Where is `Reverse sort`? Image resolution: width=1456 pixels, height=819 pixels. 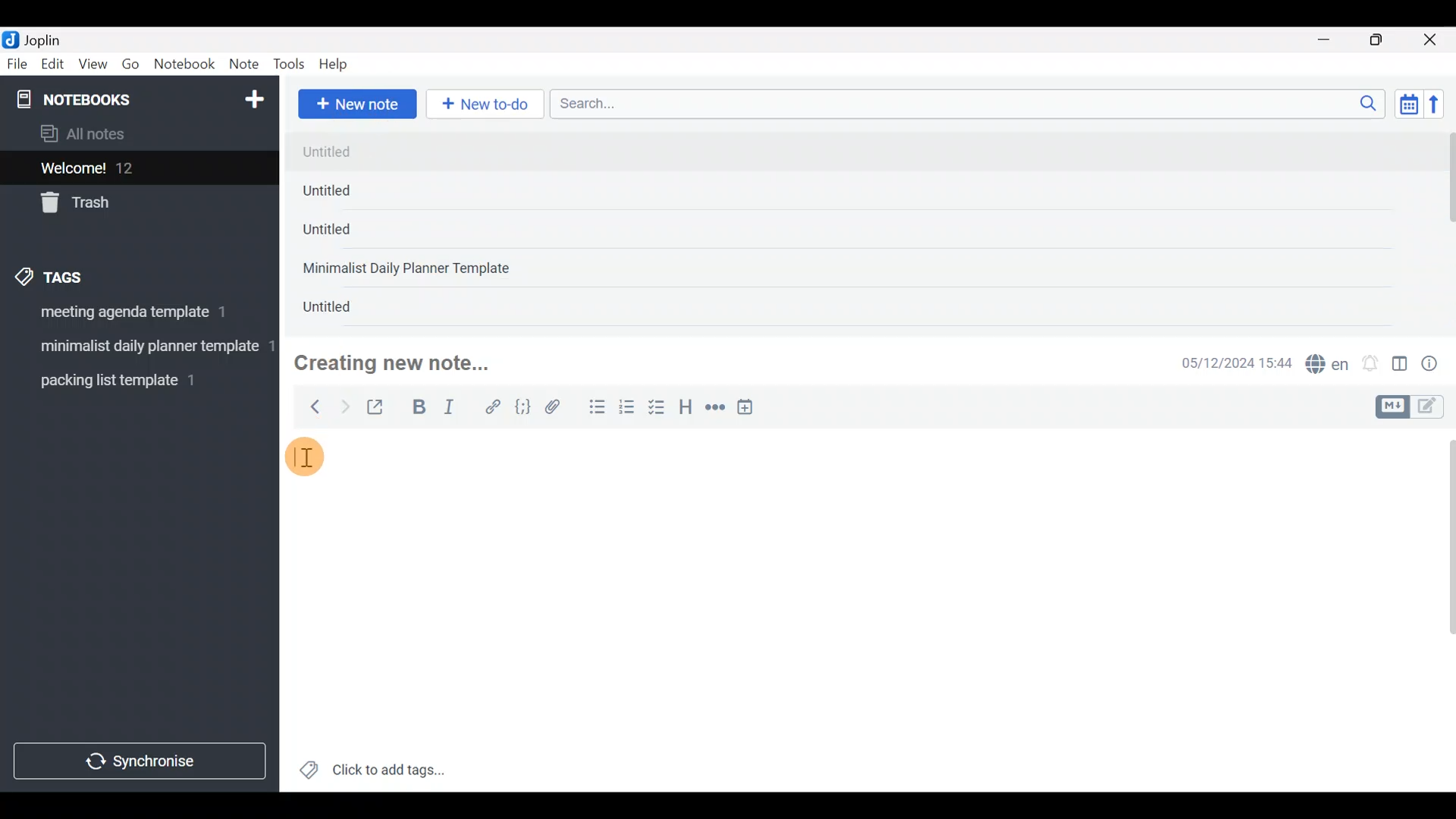 Reverse sort is located at coordinates (1442, 108).